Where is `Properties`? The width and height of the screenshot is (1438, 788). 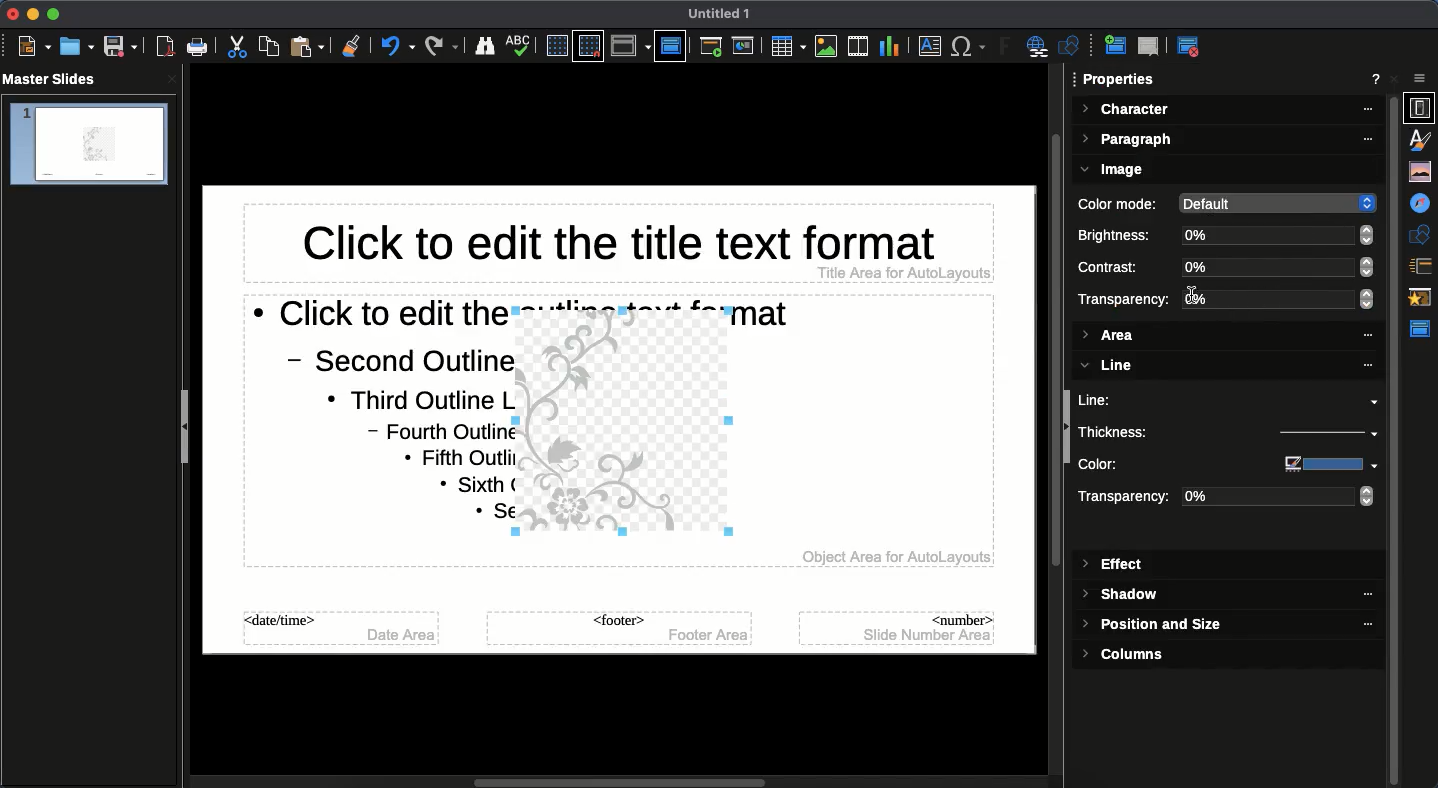
Properties is located at coordinates (1120, 80).